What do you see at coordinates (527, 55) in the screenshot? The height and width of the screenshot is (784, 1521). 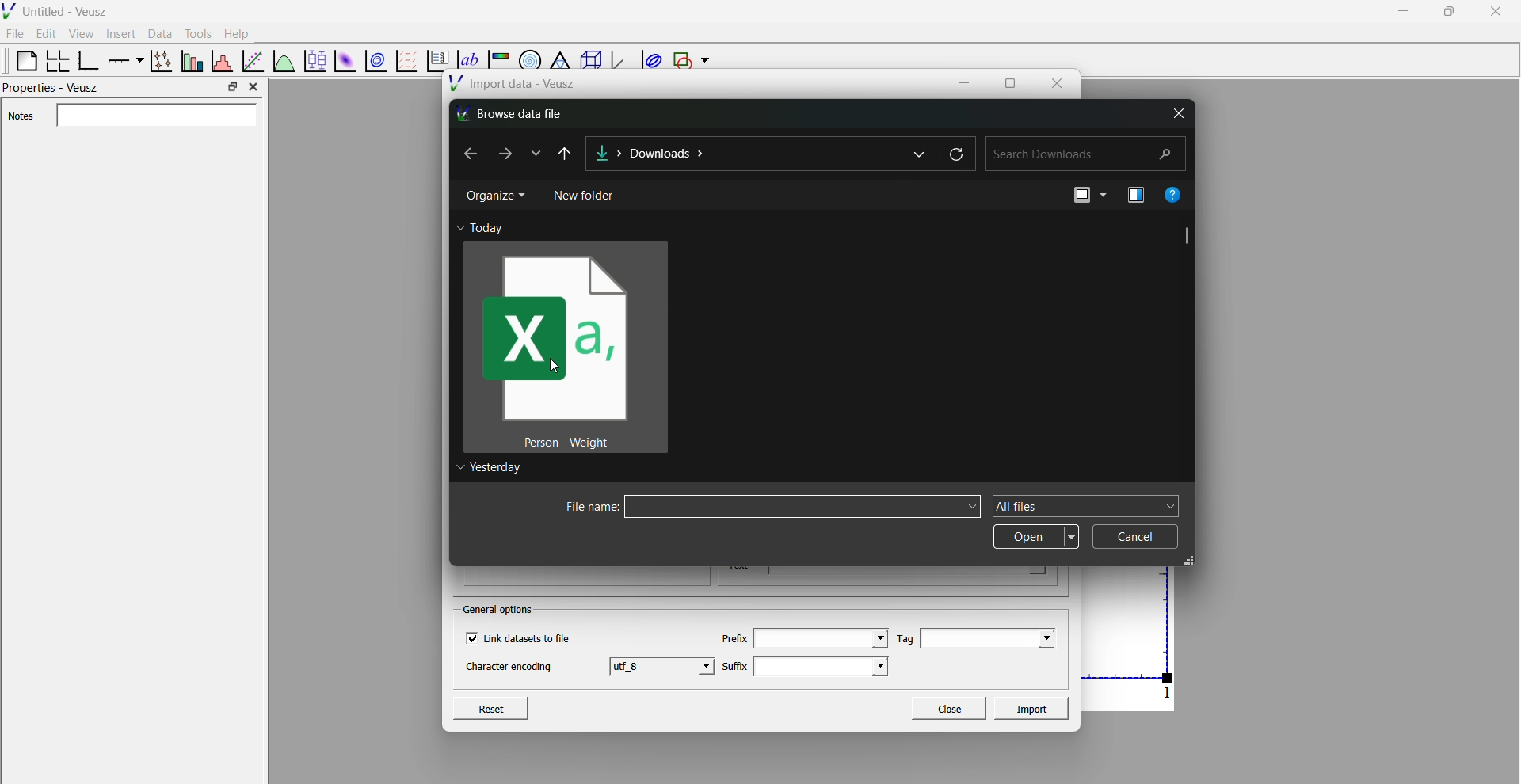 I see `polar graph` at bounding box center [527, 55].